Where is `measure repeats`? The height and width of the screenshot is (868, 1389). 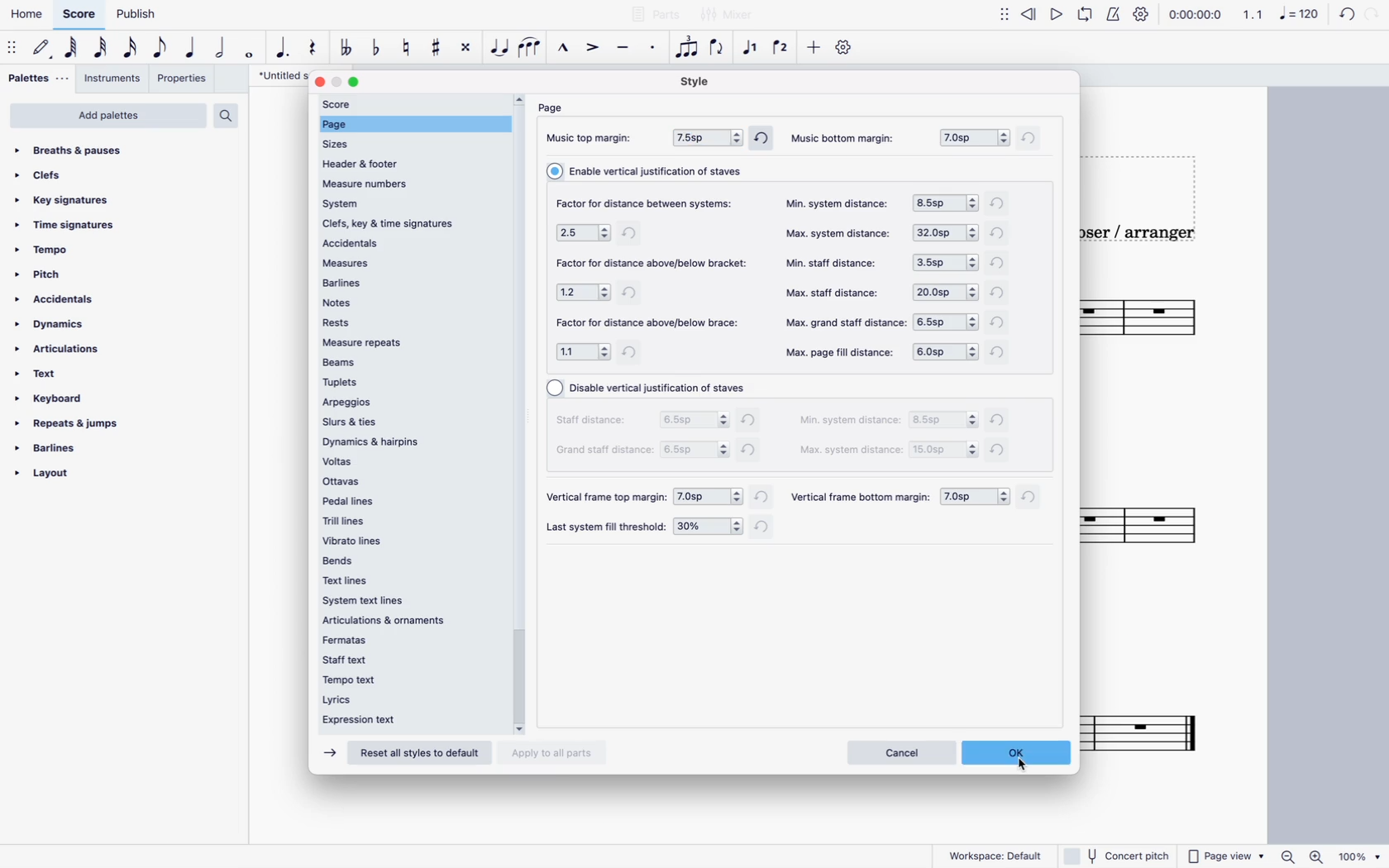
measure repeats is located at coordinates (408, 341).